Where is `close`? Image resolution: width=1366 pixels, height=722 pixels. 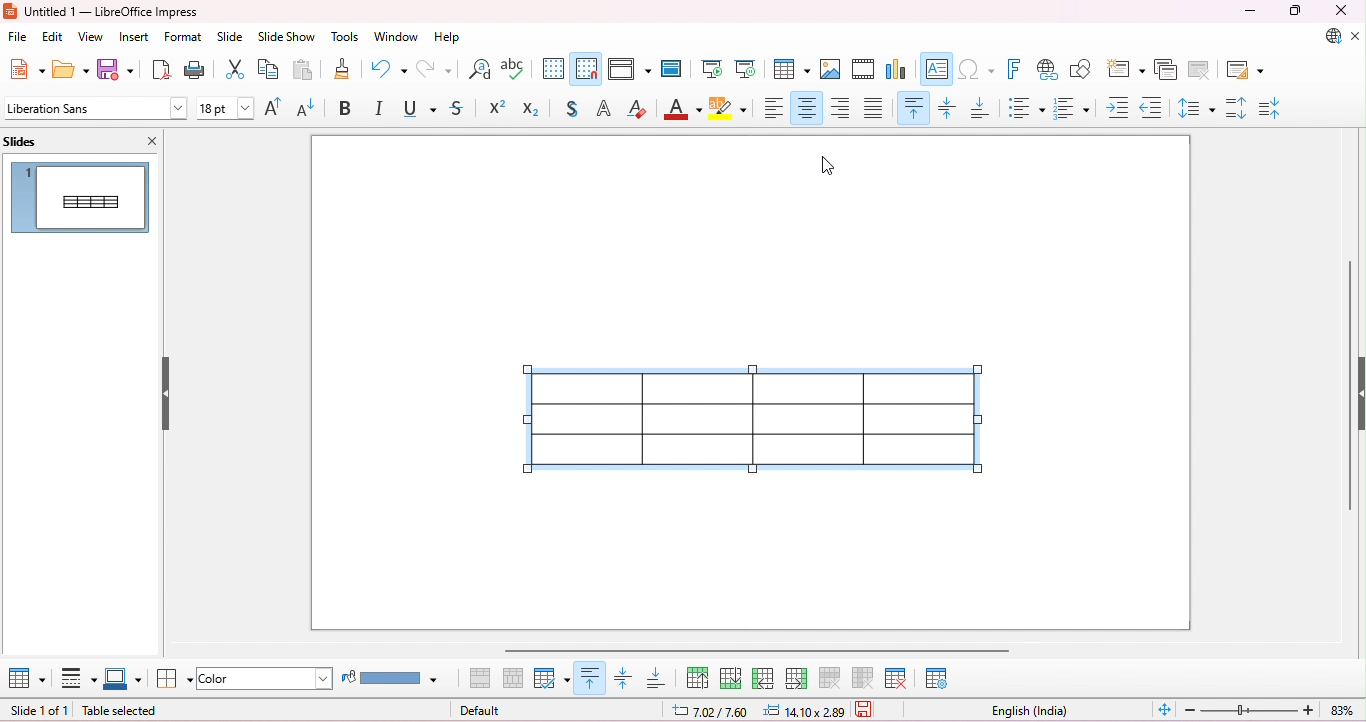 close is located at coordinates (146, 141).